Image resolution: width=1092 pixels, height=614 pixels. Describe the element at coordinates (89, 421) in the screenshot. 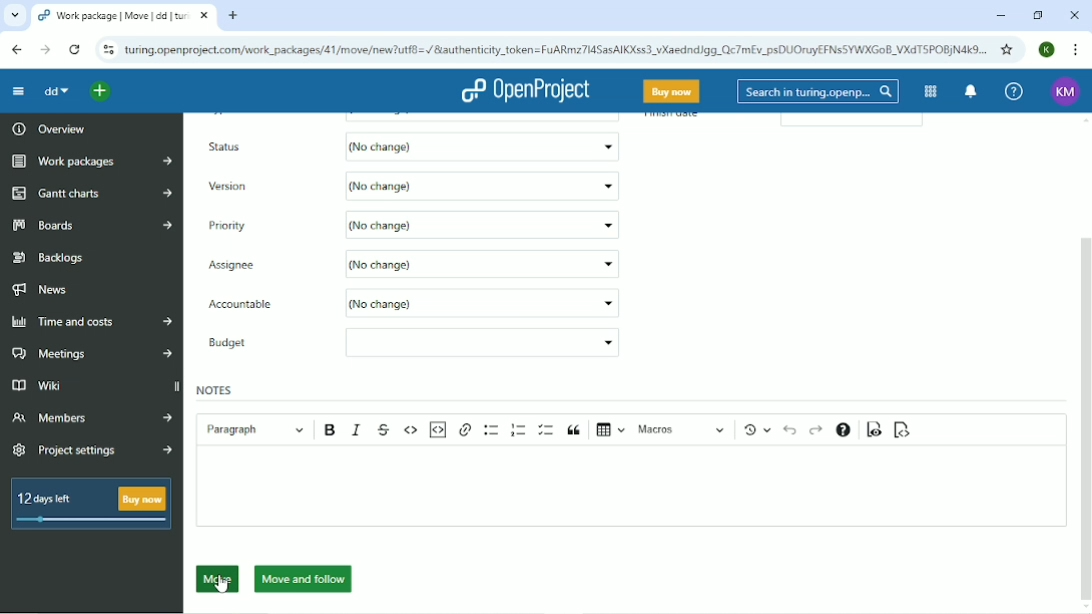

I see `Members` at that location.